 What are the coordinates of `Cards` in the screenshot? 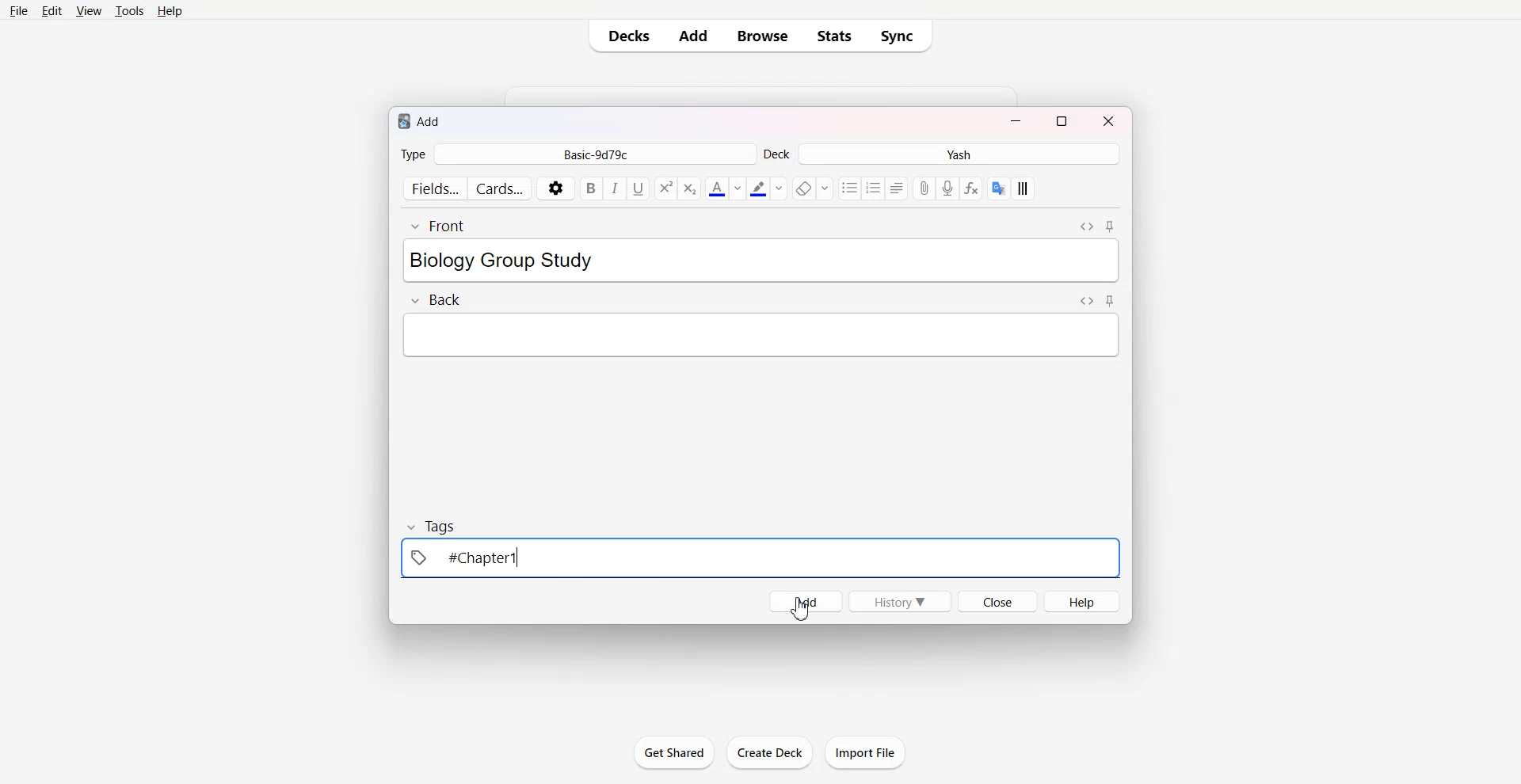 It's located at (501, 187).